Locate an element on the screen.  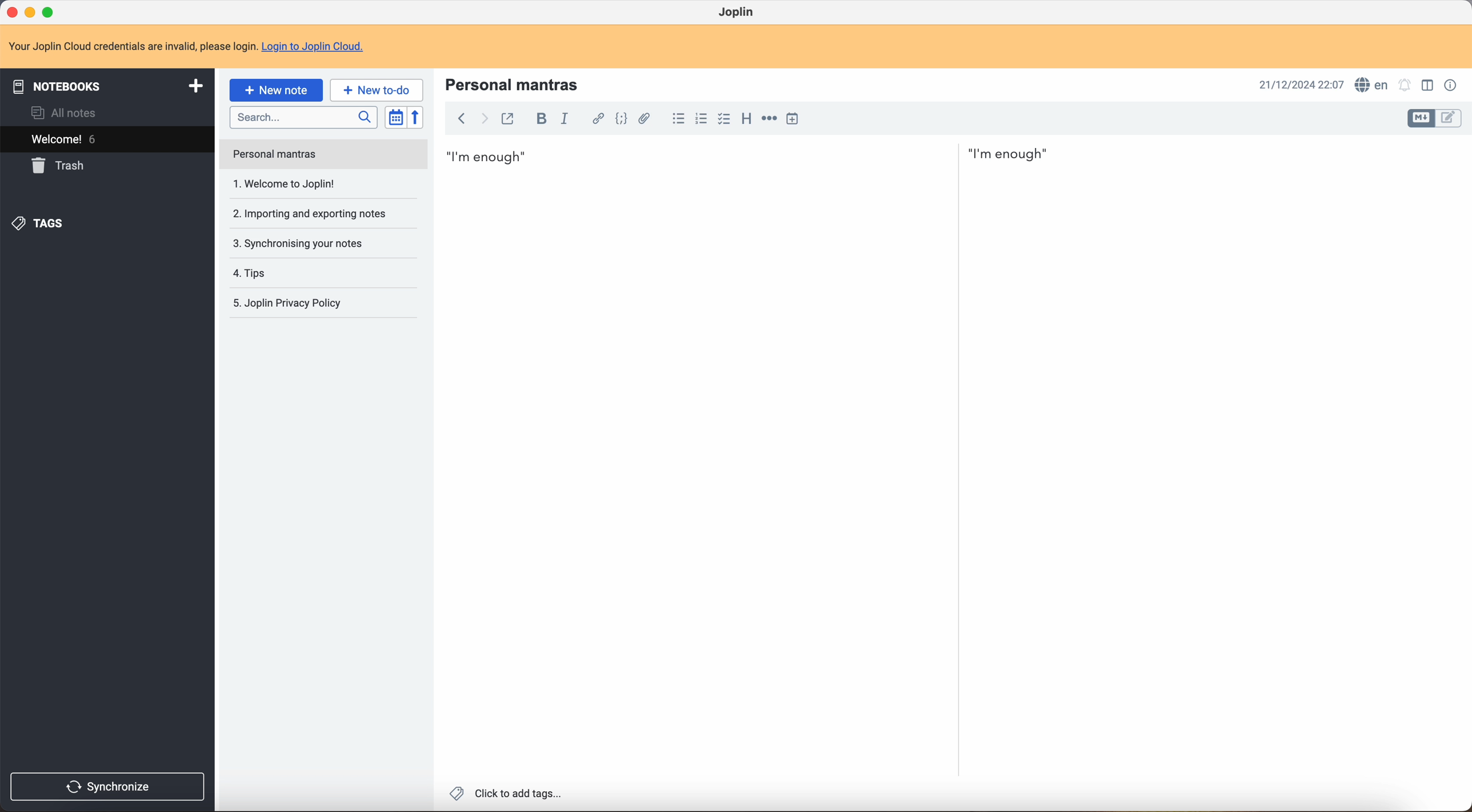
set alarm is located at coordinates (1406, 85).